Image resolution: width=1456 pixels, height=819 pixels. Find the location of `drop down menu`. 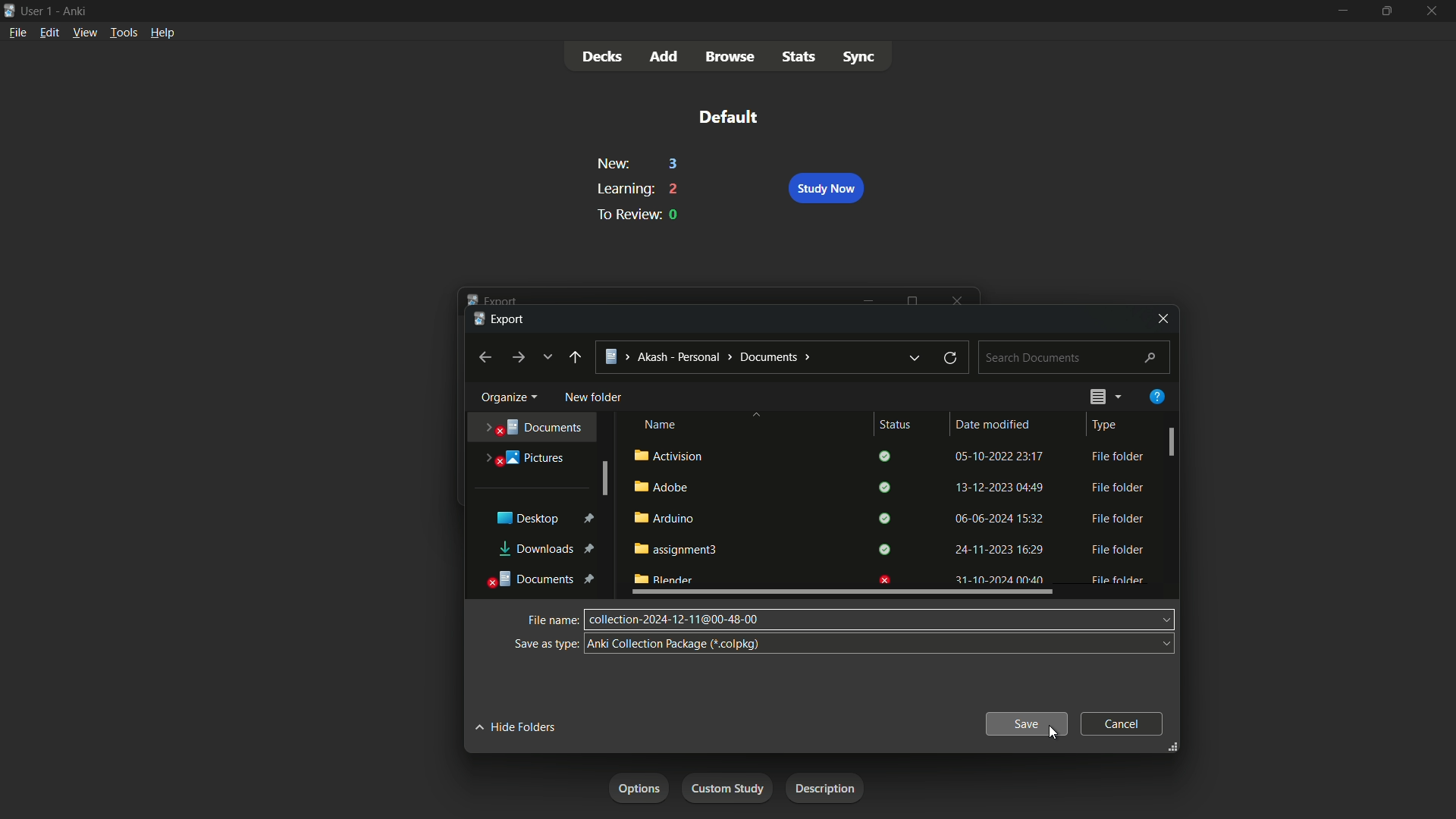

drop down menu is located at coordinates (1124, 641).